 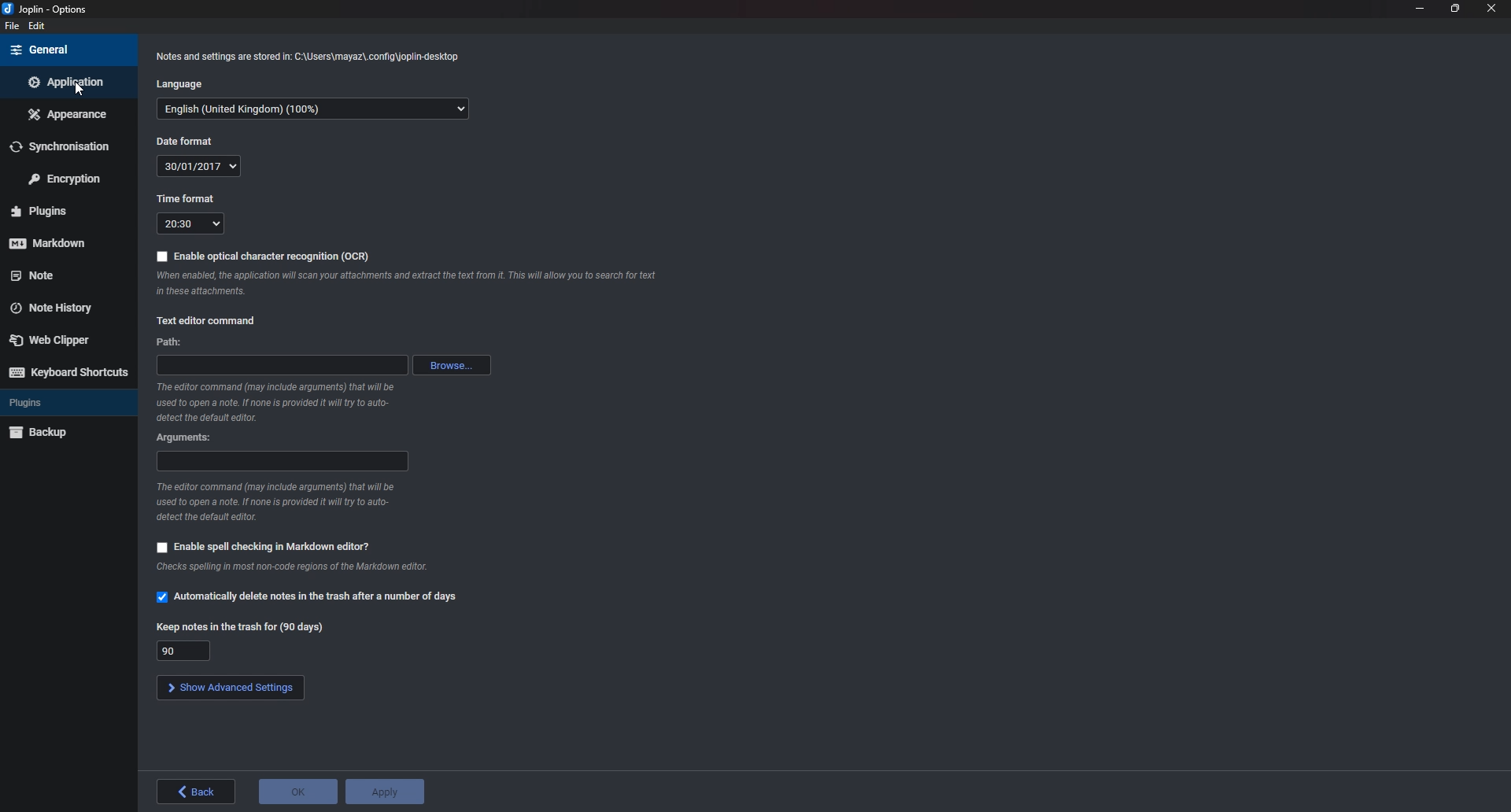 What do you see at coordinates (1456, 9) in the screenshot?
I see `resize` at bounding box center [1456, 9].